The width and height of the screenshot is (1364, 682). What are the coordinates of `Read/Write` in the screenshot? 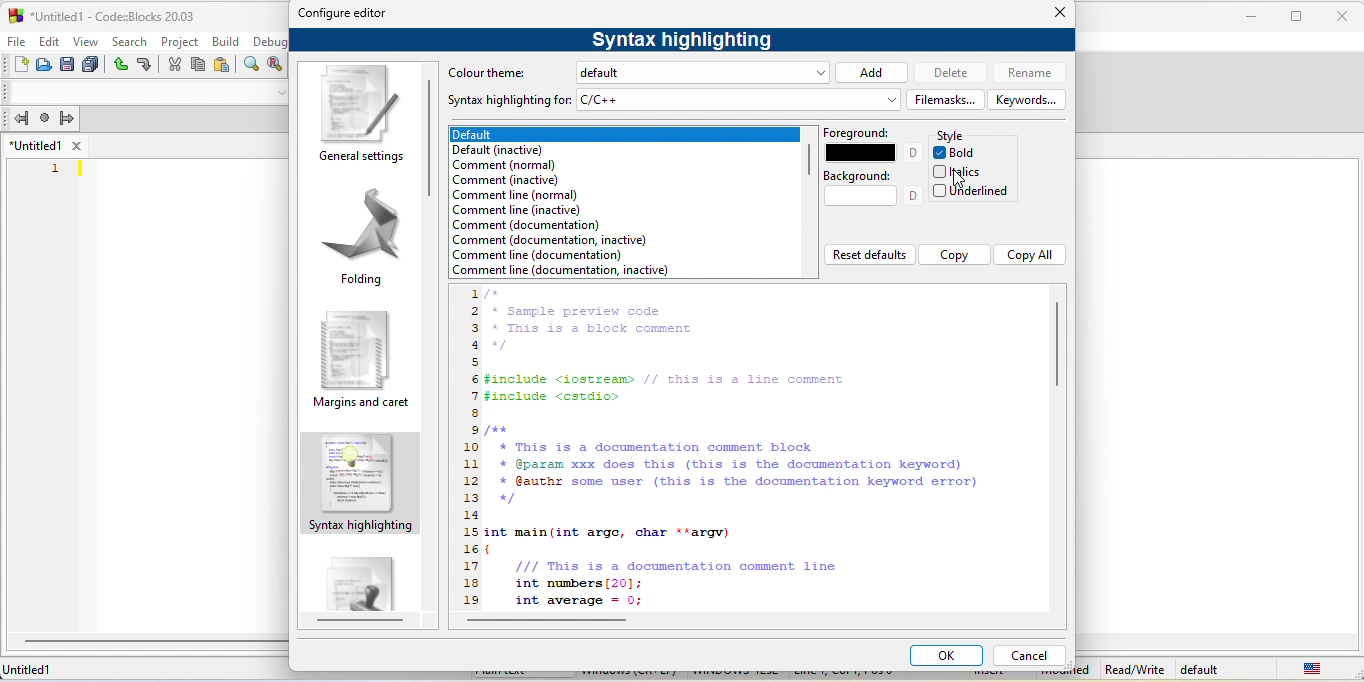 It's located at (1134, 669).